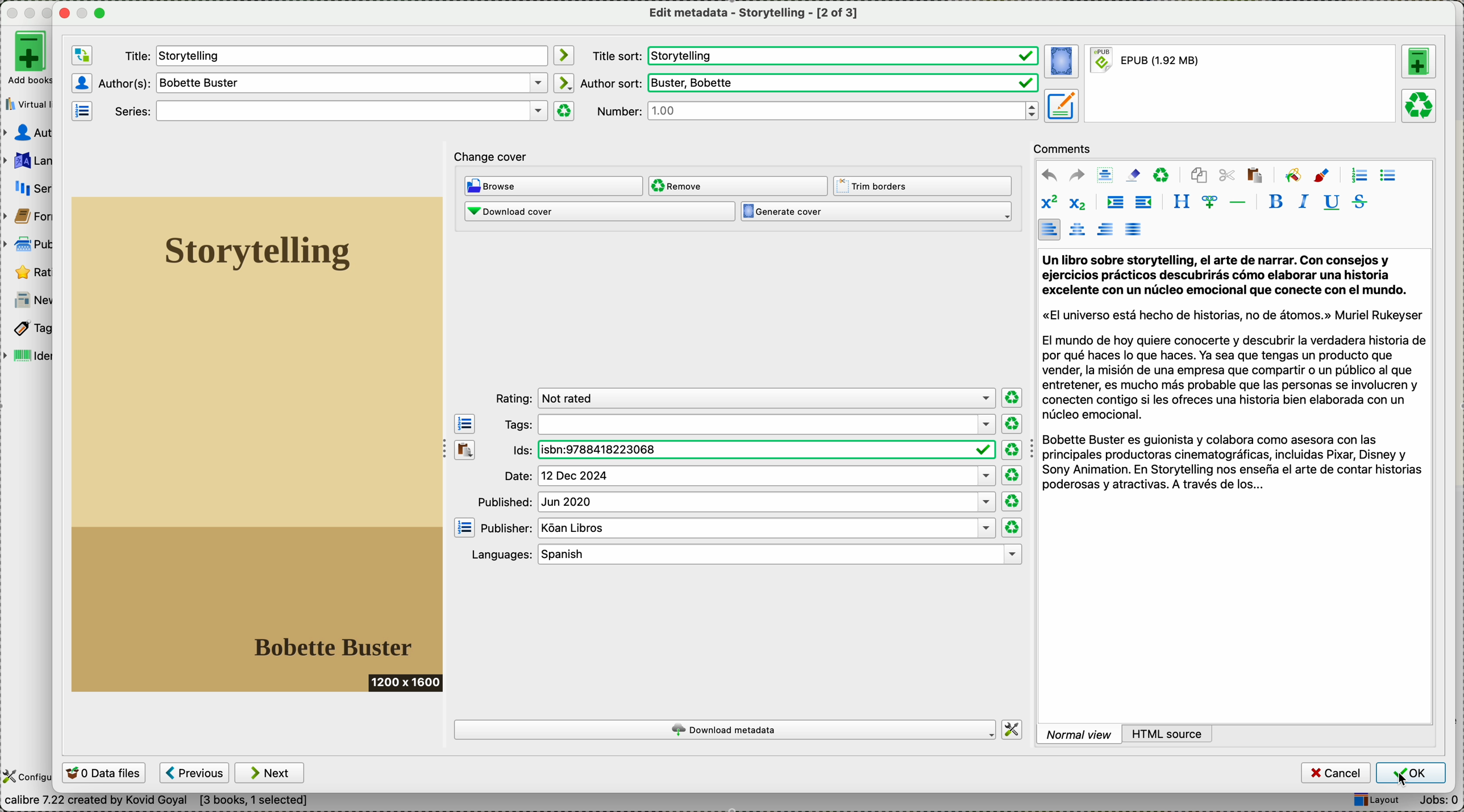 The width and height of the screenshot is (1464, 812). I want to click on maximize, so click(101, 14).